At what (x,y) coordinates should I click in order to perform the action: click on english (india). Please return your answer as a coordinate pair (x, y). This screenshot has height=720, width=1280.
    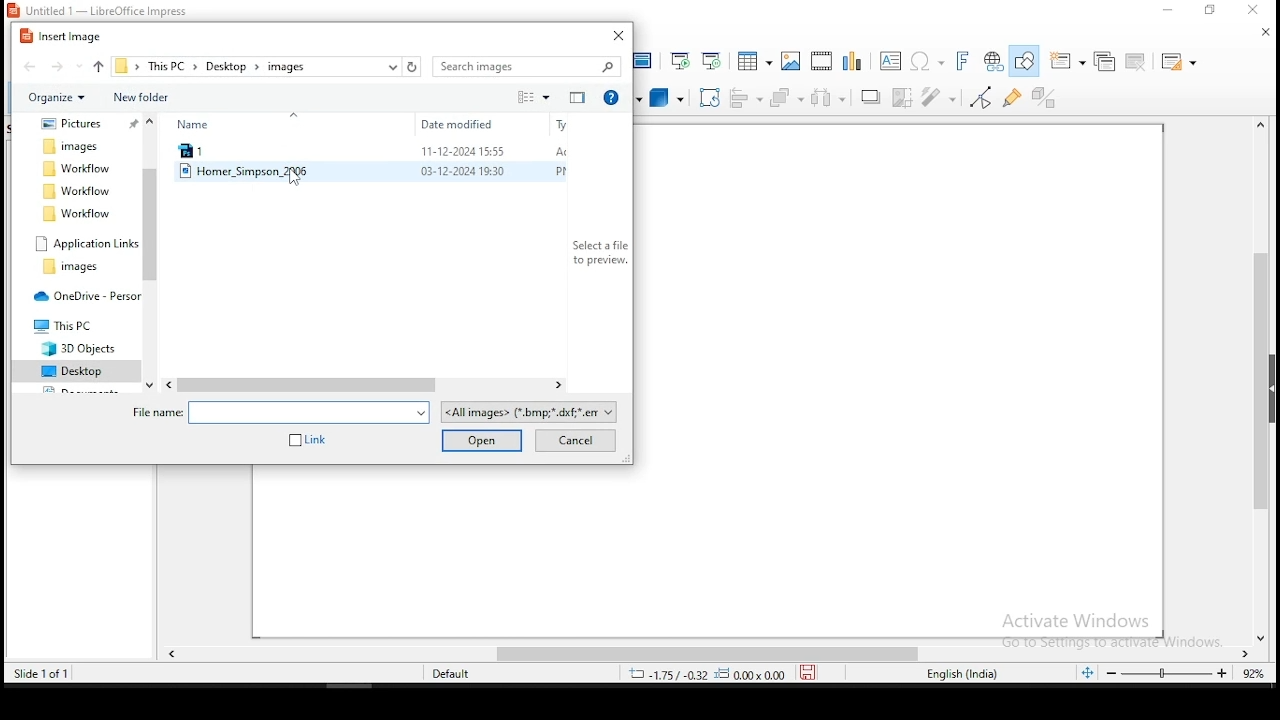
    Looking at the image, I should click on (971, 675).